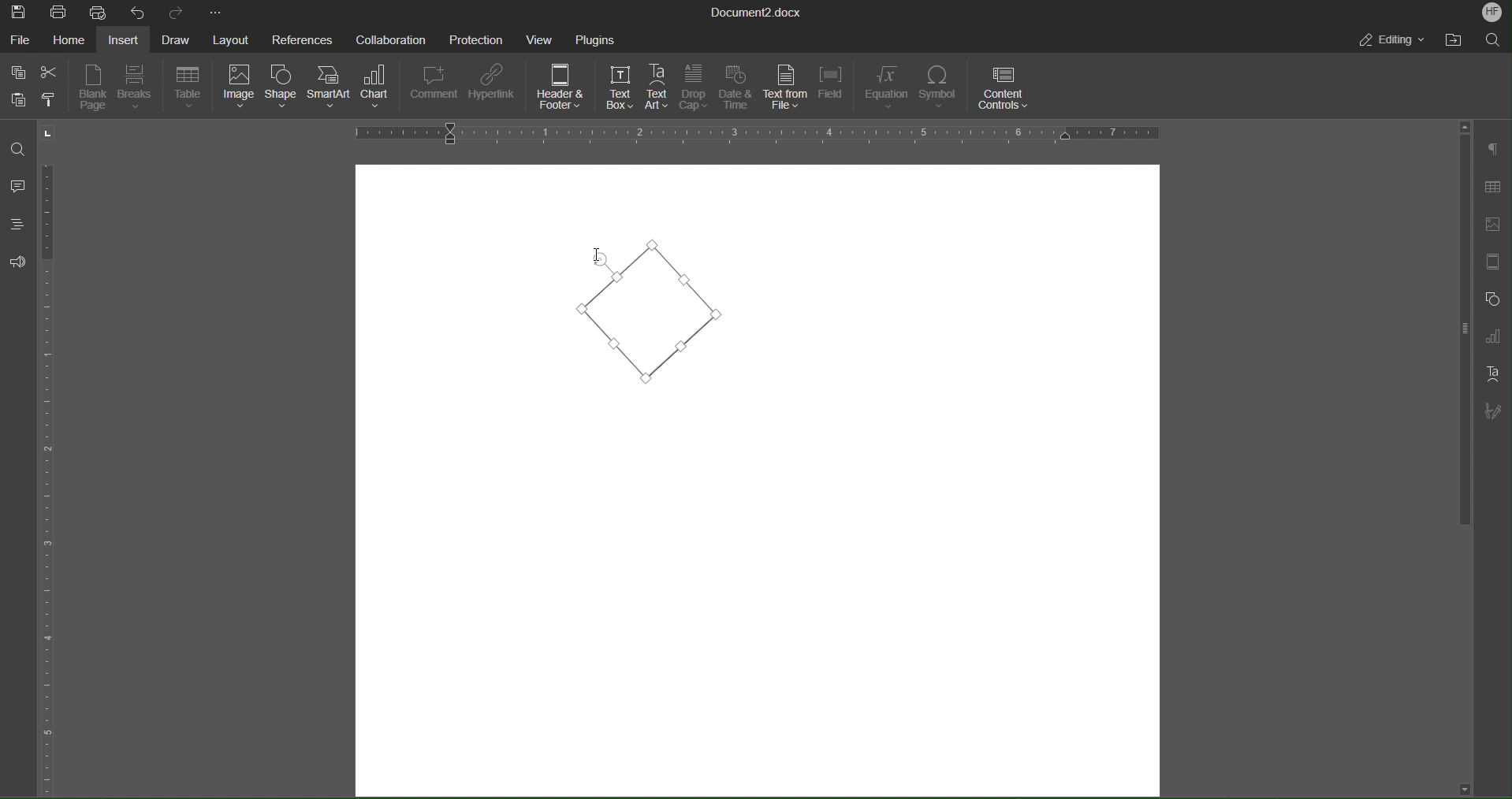 The width and height of the screenshot is (1512, 799). I want to click on Hyperlink, so click(494, 87).